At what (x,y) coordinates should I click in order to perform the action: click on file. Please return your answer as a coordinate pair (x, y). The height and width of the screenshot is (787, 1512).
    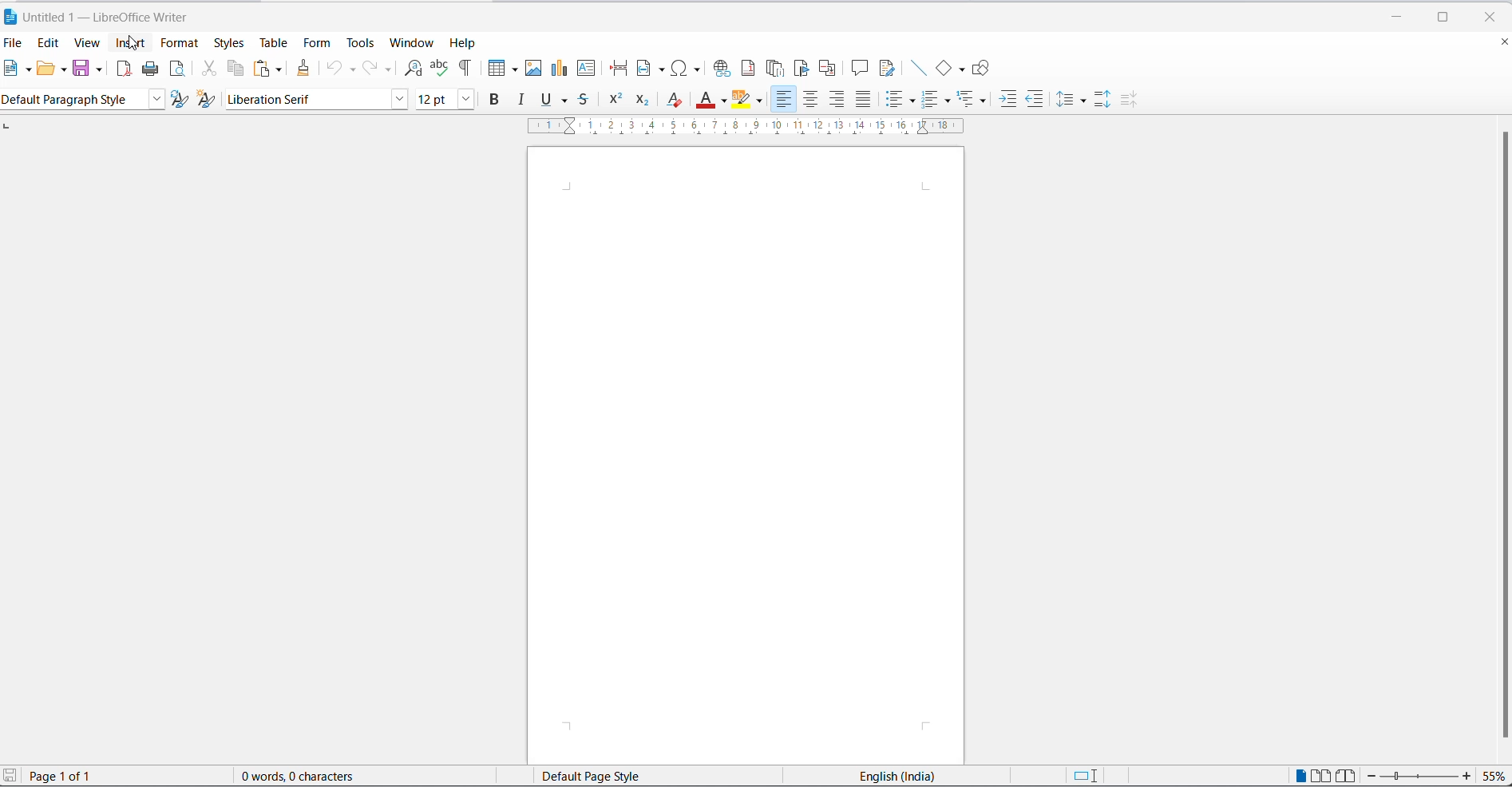
    Looking at the image, I should click on (14, 44).